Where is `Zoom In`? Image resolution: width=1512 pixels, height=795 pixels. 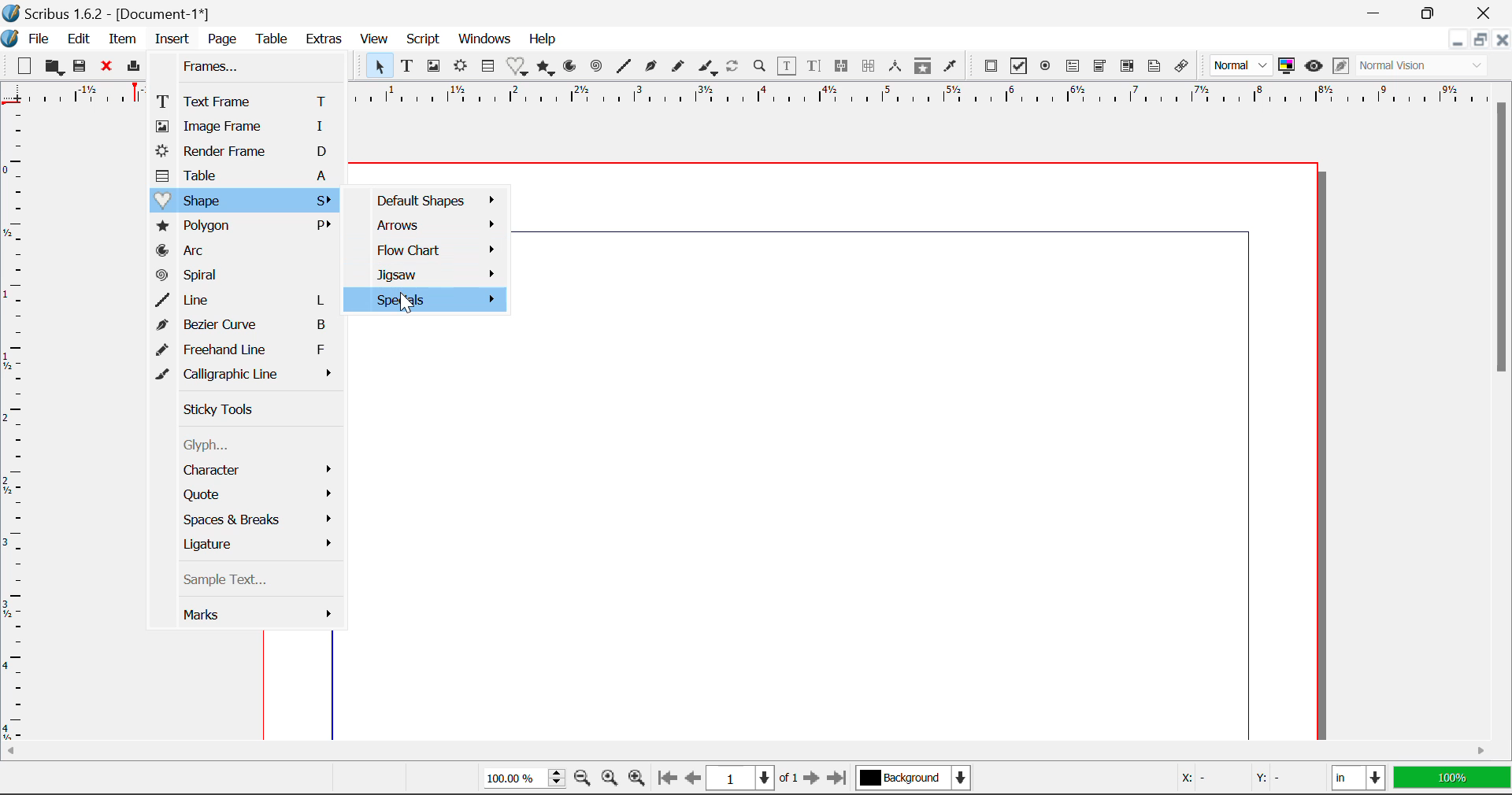
Zoom In is located at coordinates (637, 779).